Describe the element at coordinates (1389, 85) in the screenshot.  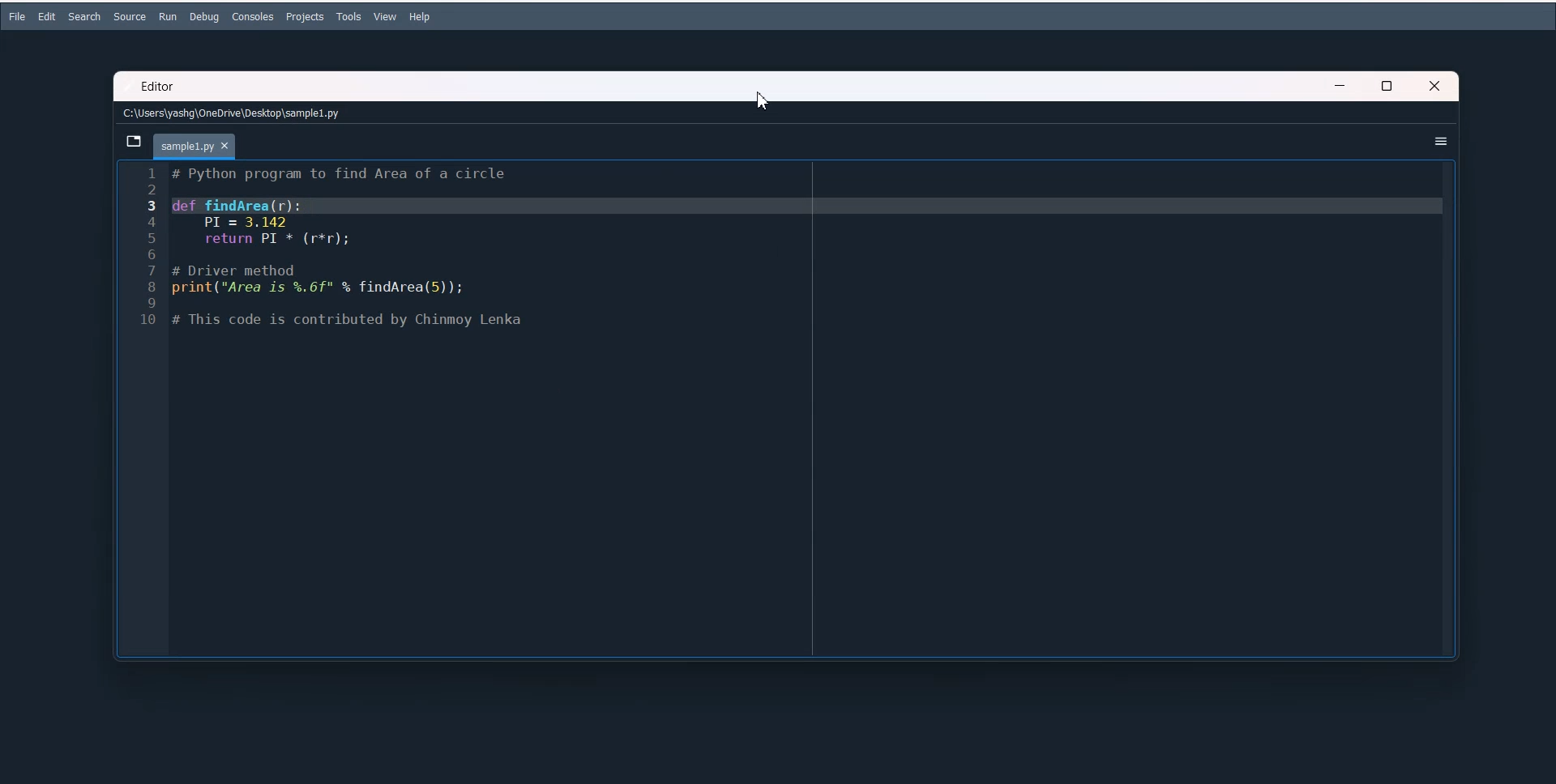
I see `Maximize` at that location.